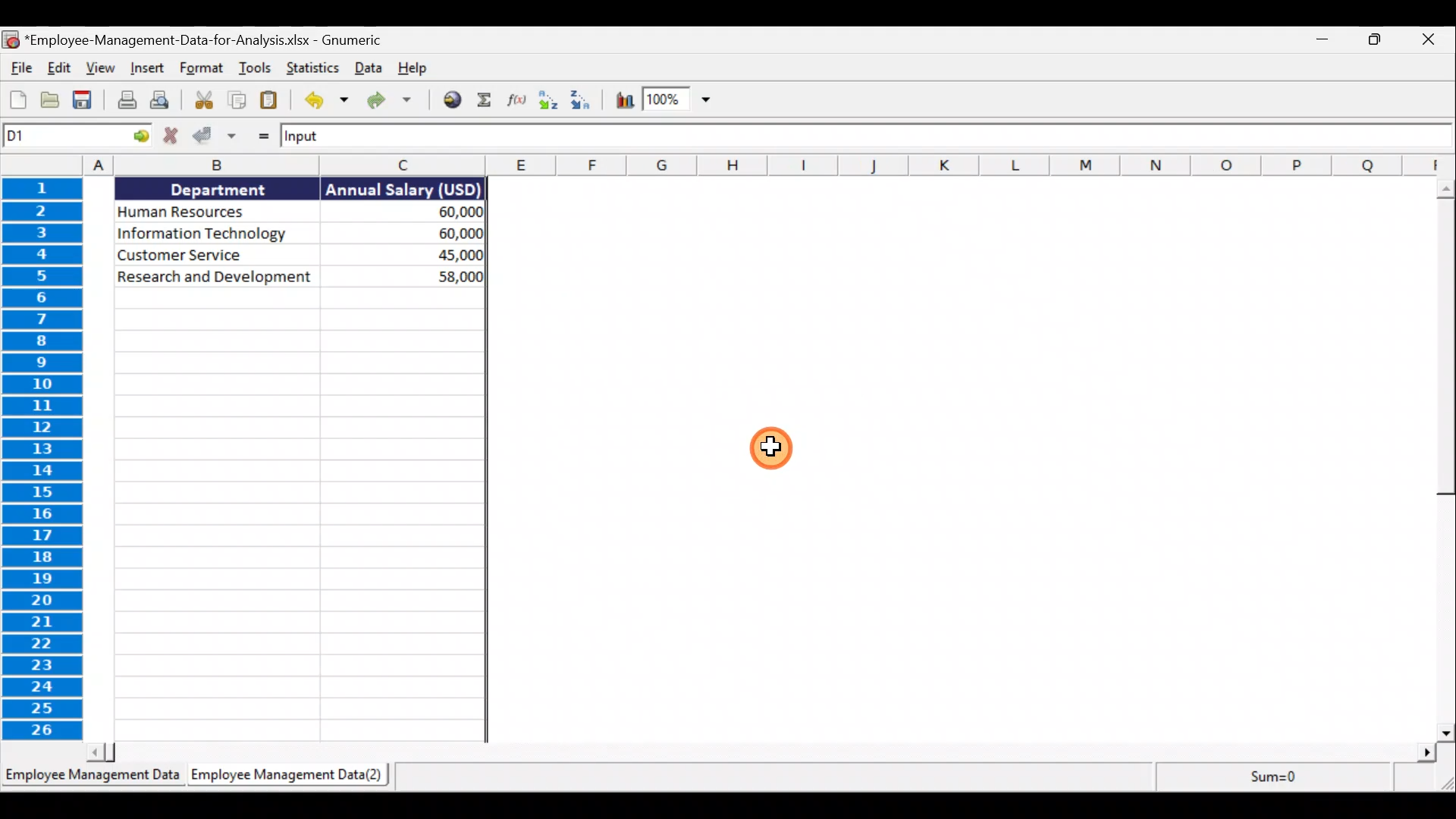 The width and height of the screenshot is (1456, 819). I want to click on Statistics, so click(313, 67).